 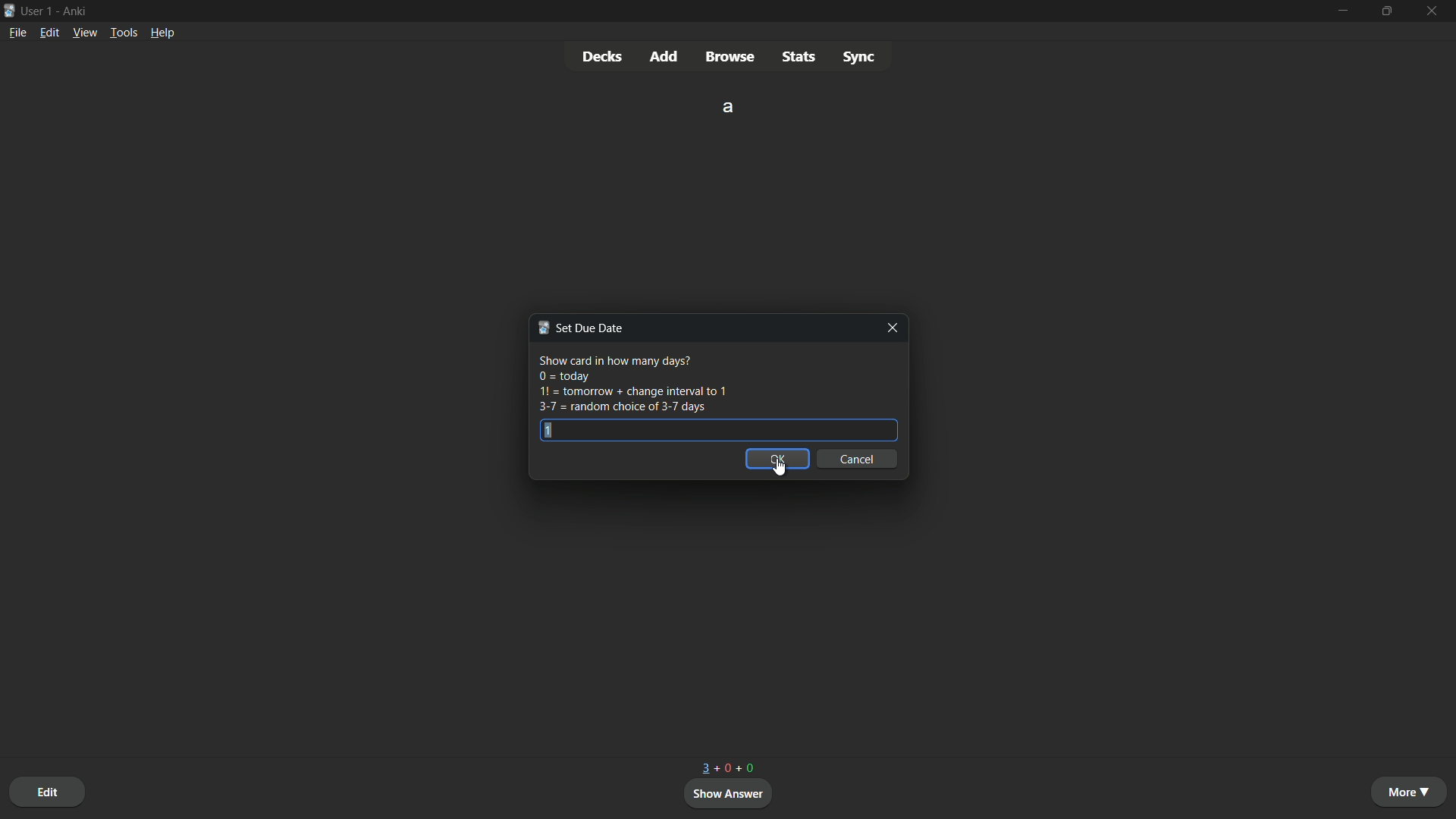 I want to click on a, so click(x=730, y=106).